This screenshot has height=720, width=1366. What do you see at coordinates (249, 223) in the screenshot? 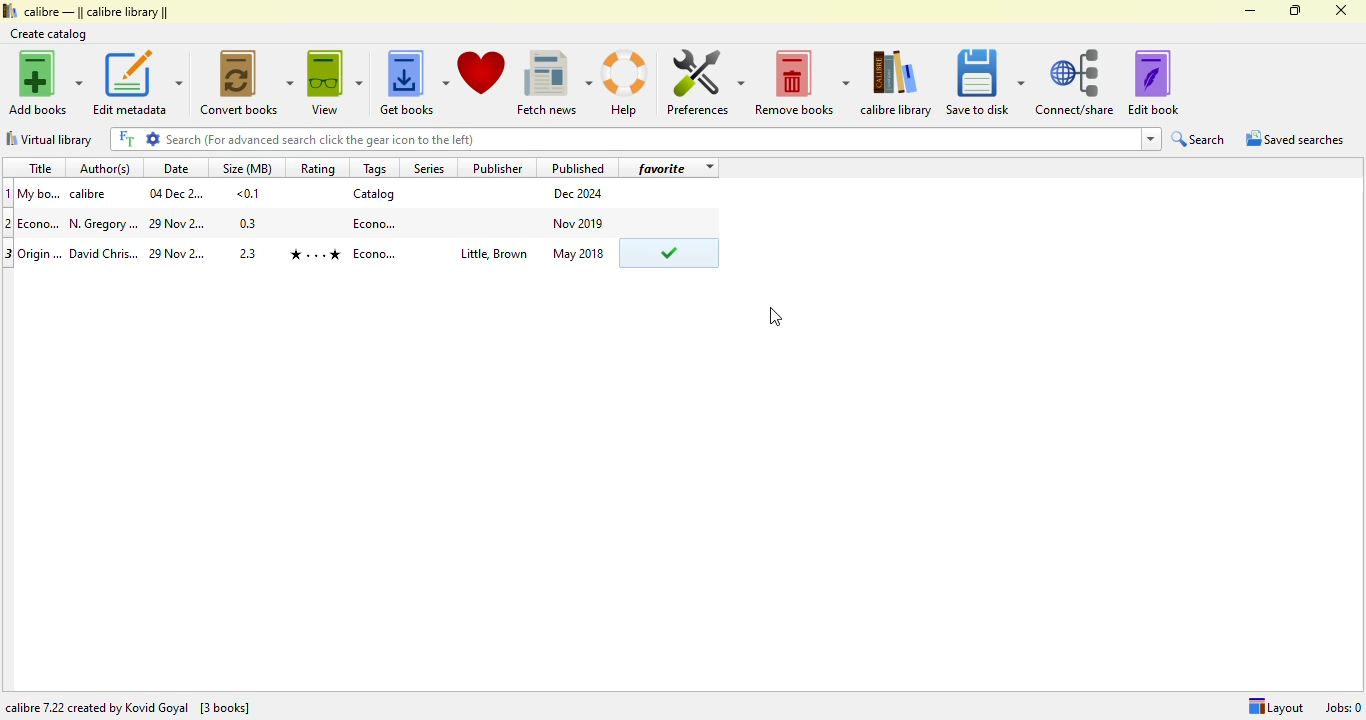
I see `size` at bounding box center [249, 223].